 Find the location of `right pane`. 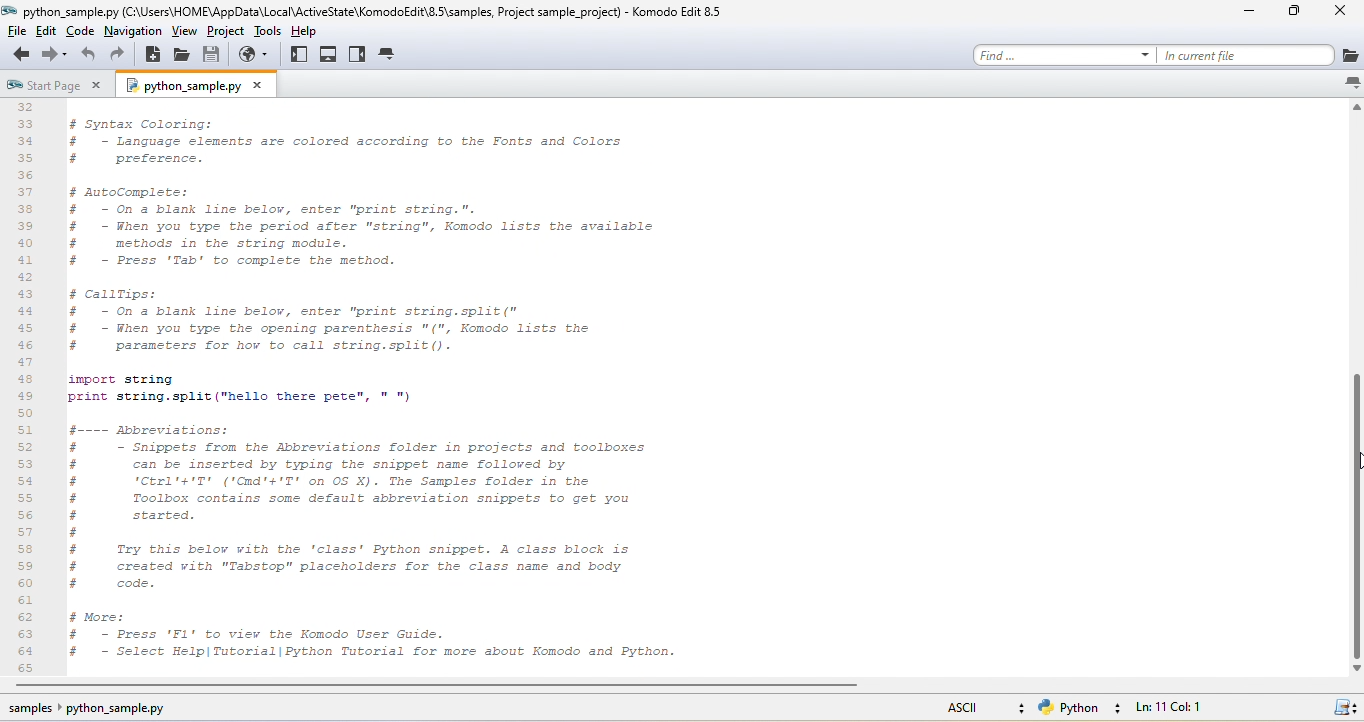

right pane is located at coordinates (357, 55).